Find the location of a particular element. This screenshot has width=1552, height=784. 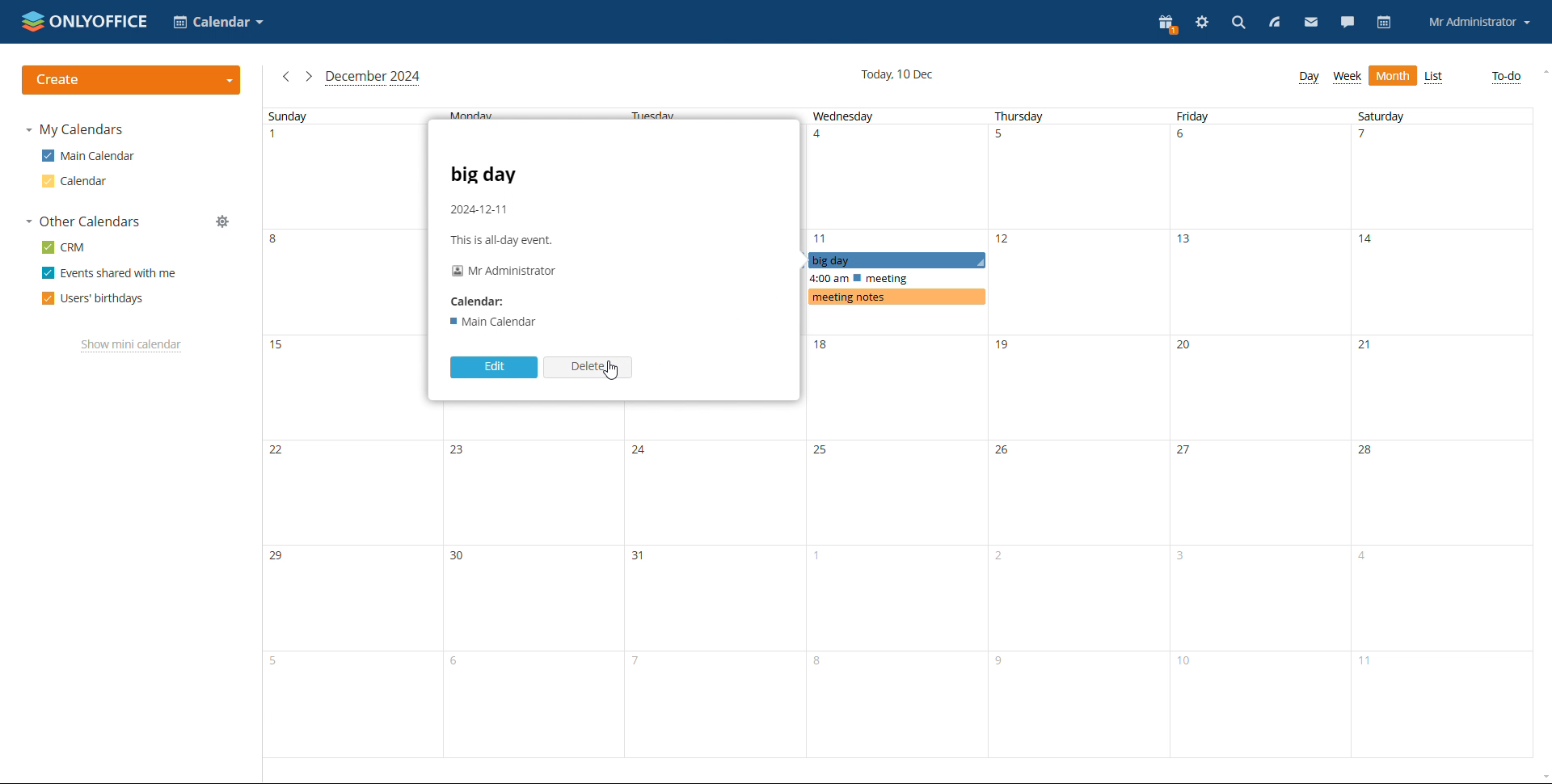

thursday is located at coordinates (1078, 433).